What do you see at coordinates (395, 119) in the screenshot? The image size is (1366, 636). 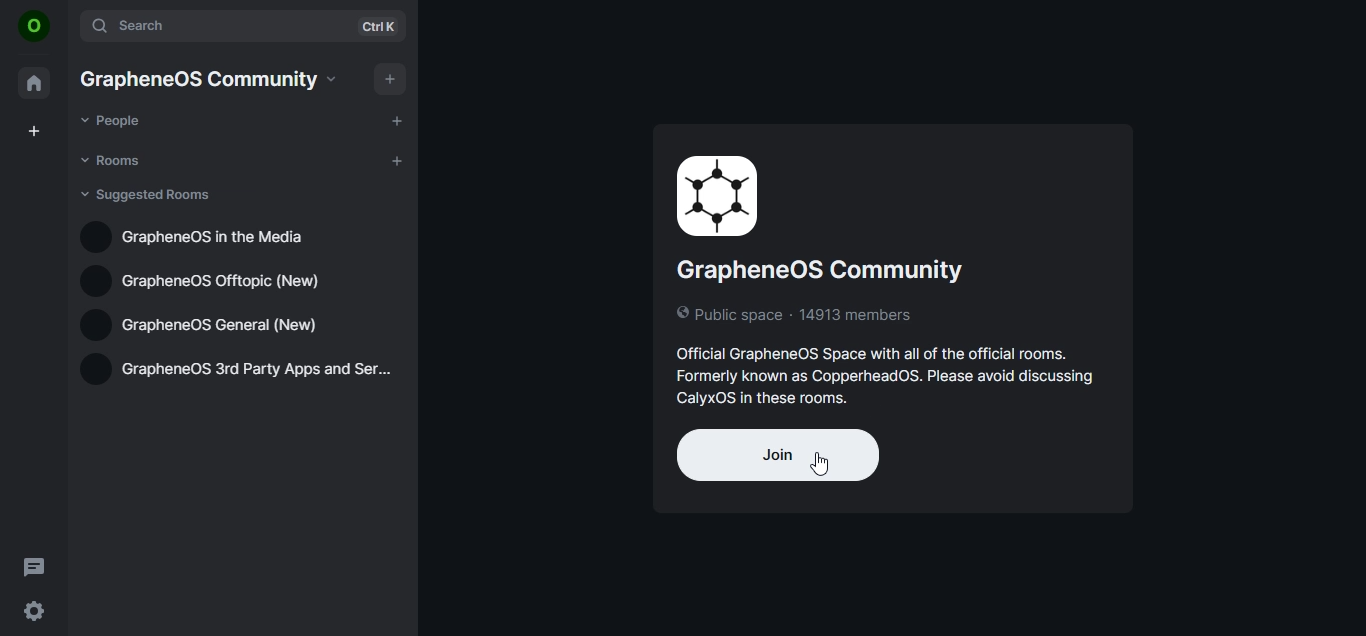 I see `start chat` at bounding box center [395, 119].